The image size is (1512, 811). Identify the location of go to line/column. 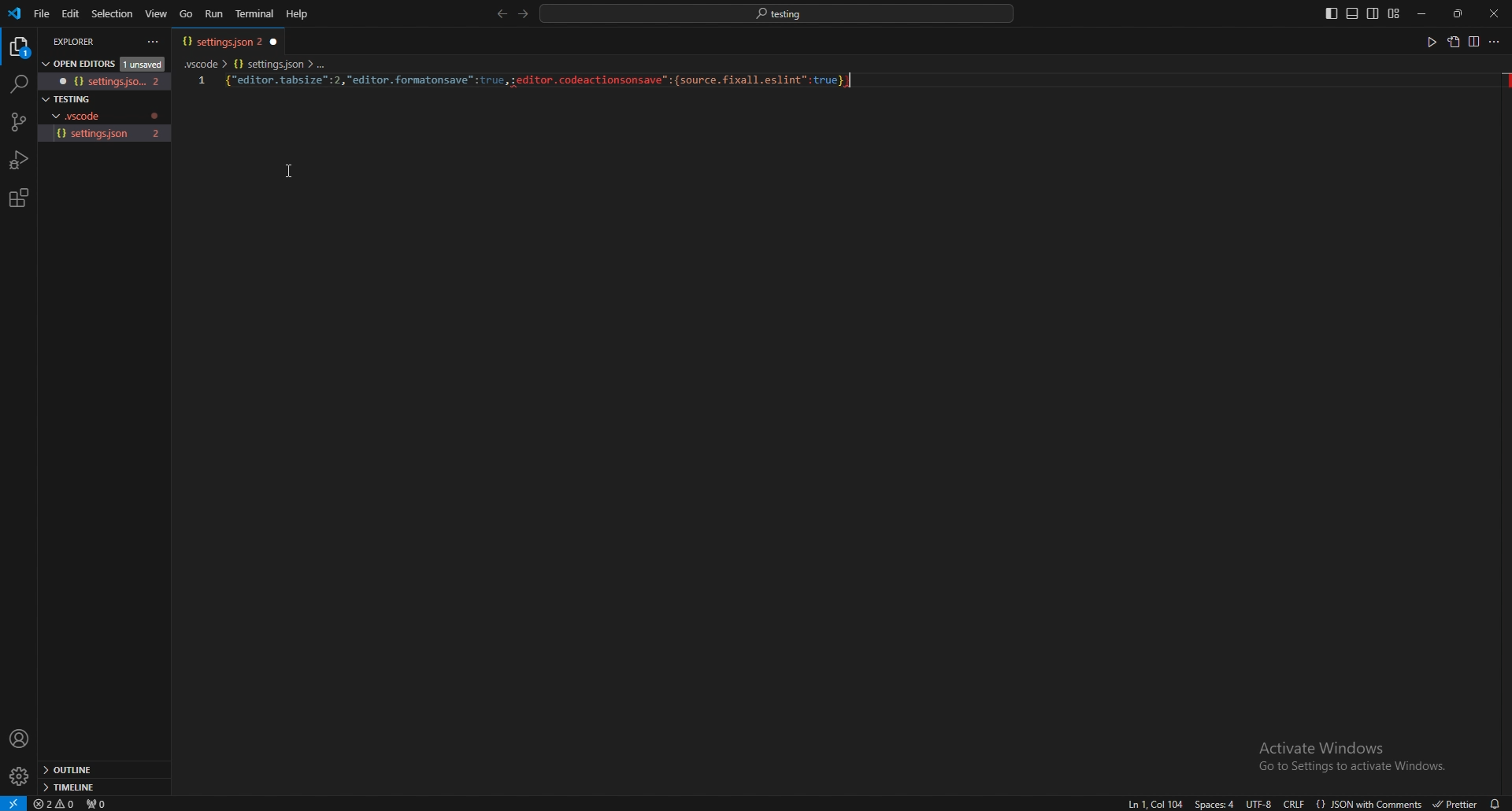
(1159, 803).